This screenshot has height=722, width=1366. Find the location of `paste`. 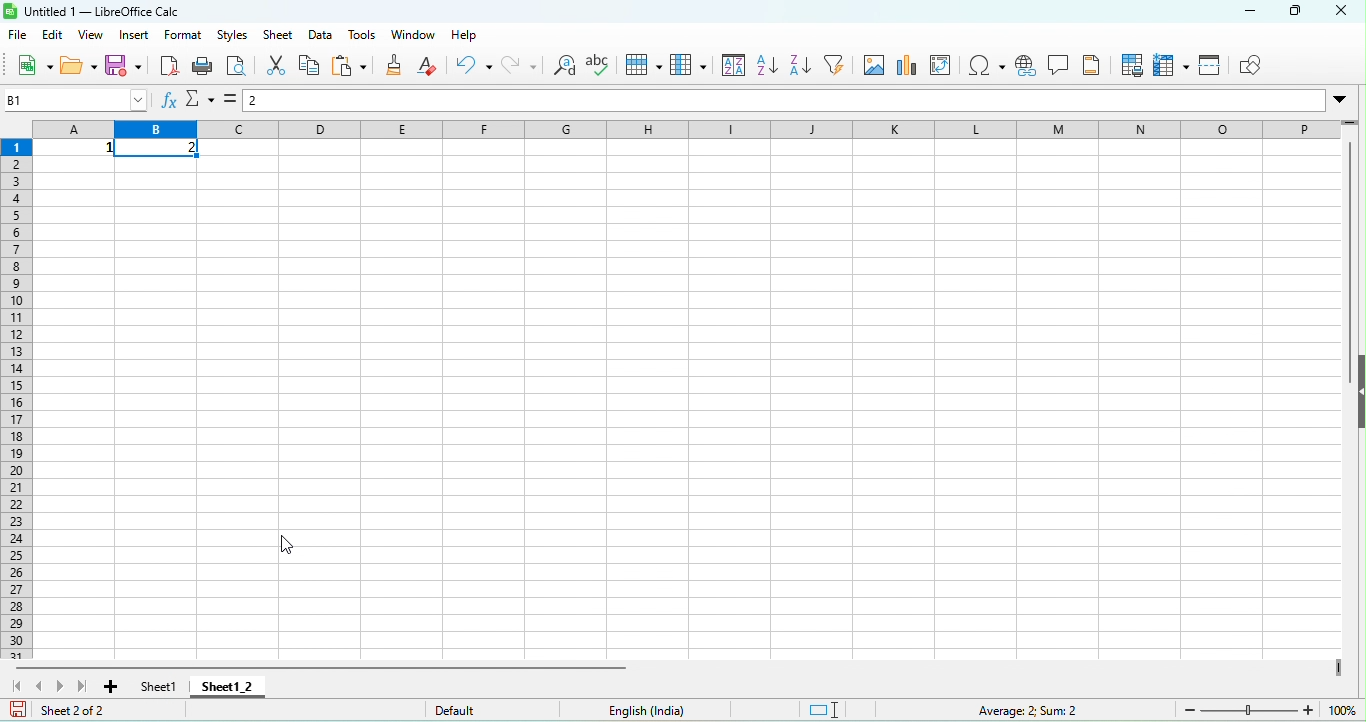

paste is located at coordinates (352, 65).